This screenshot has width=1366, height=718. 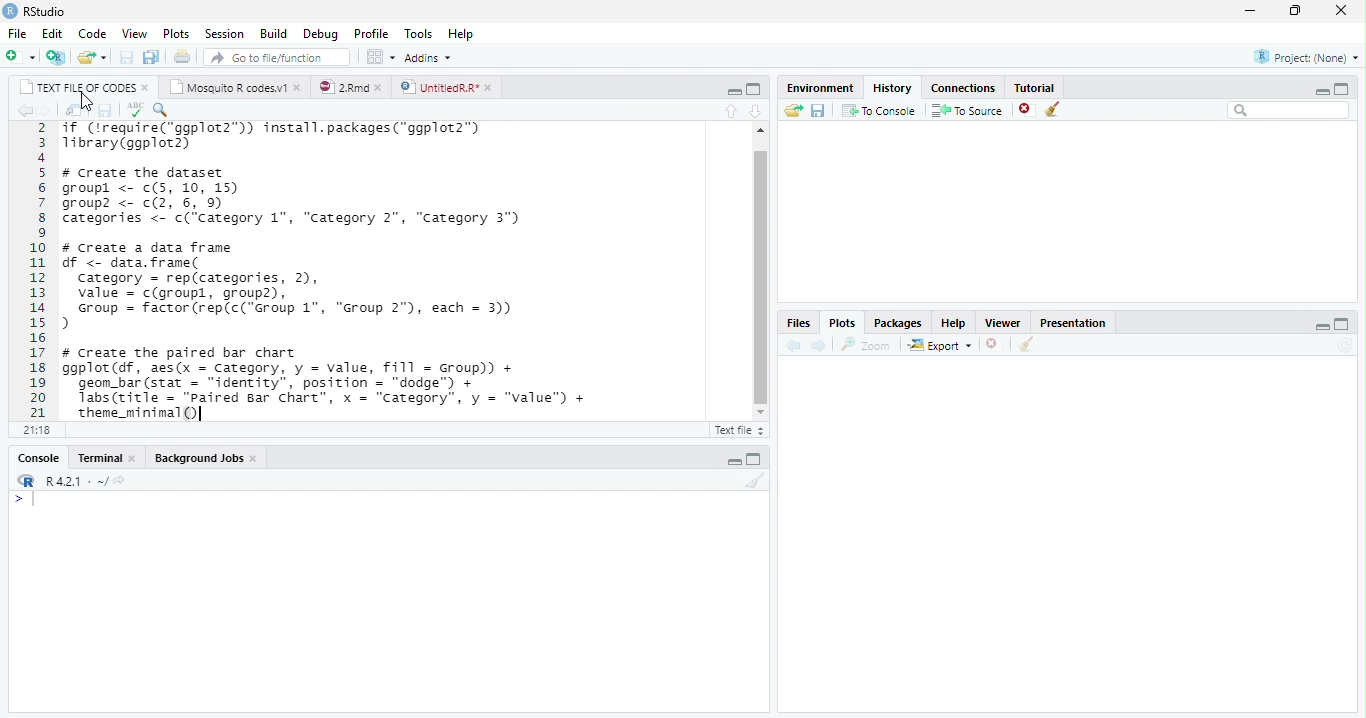 What do you see at coordinates (11, 12) in the screenshot?
I see `logo` at bounding box center [11, 12].